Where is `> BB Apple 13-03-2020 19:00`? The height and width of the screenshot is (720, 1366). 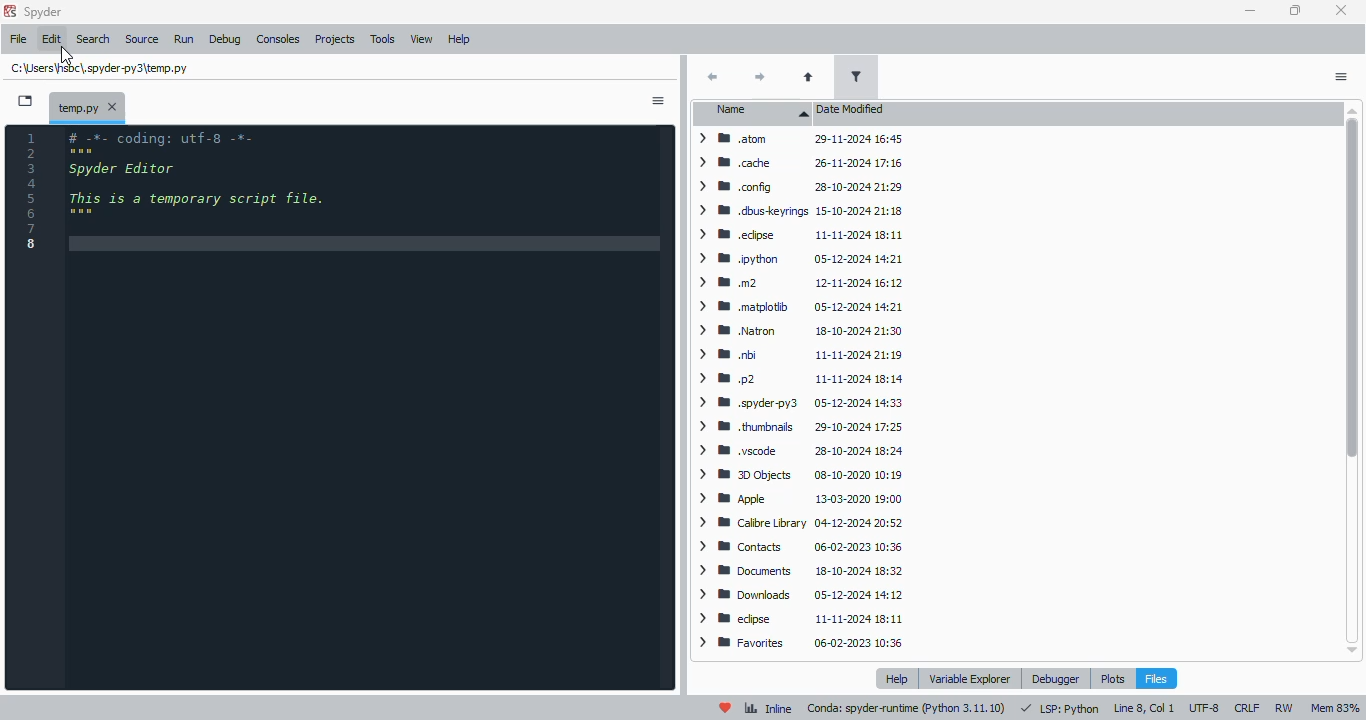 > BB Apple 13-03-2020 19:00 is located at coordinates (800, 500).